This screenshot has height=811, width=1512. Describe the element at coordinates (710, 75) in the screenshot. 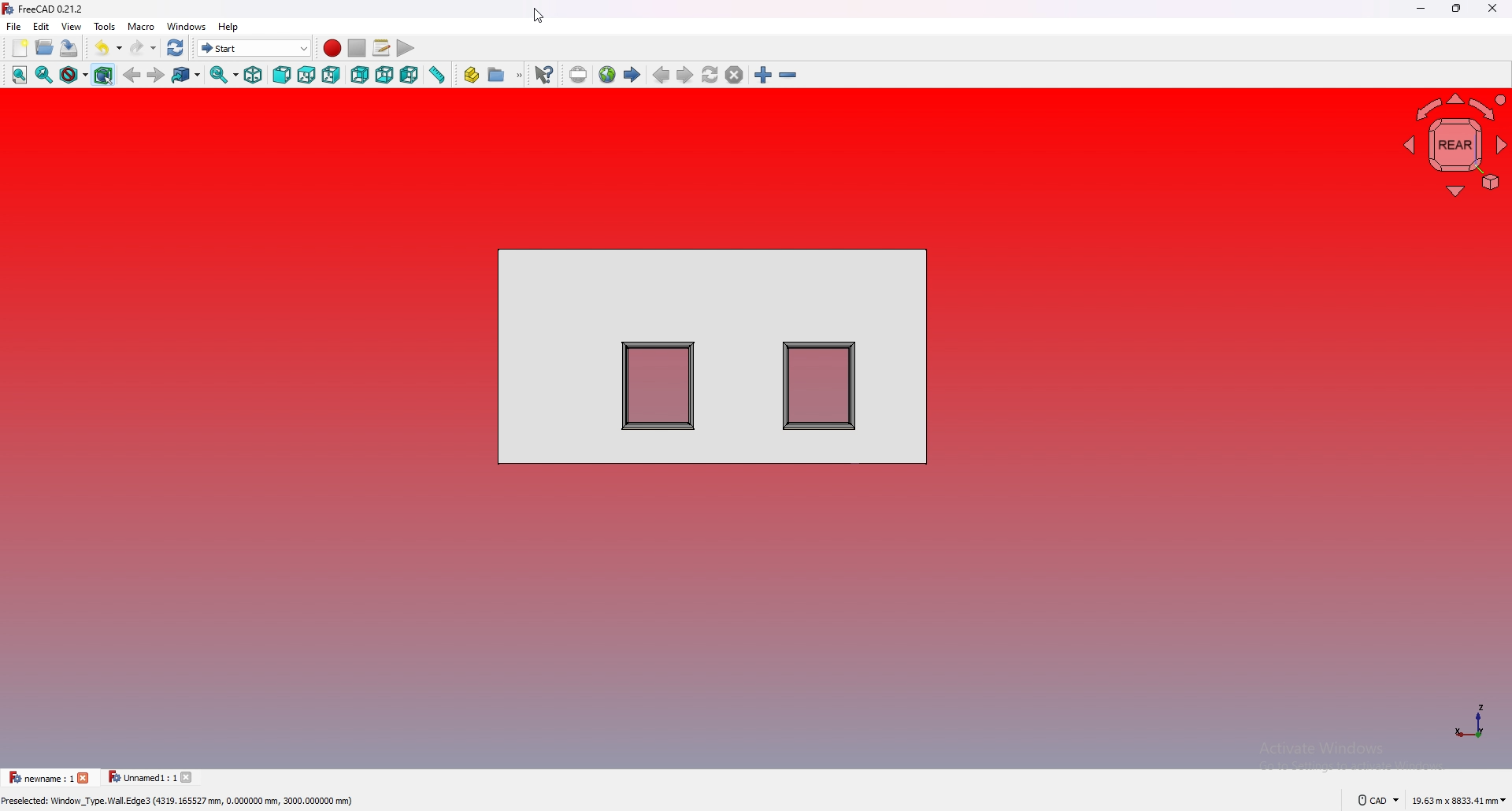

I see `reload page` at that location.